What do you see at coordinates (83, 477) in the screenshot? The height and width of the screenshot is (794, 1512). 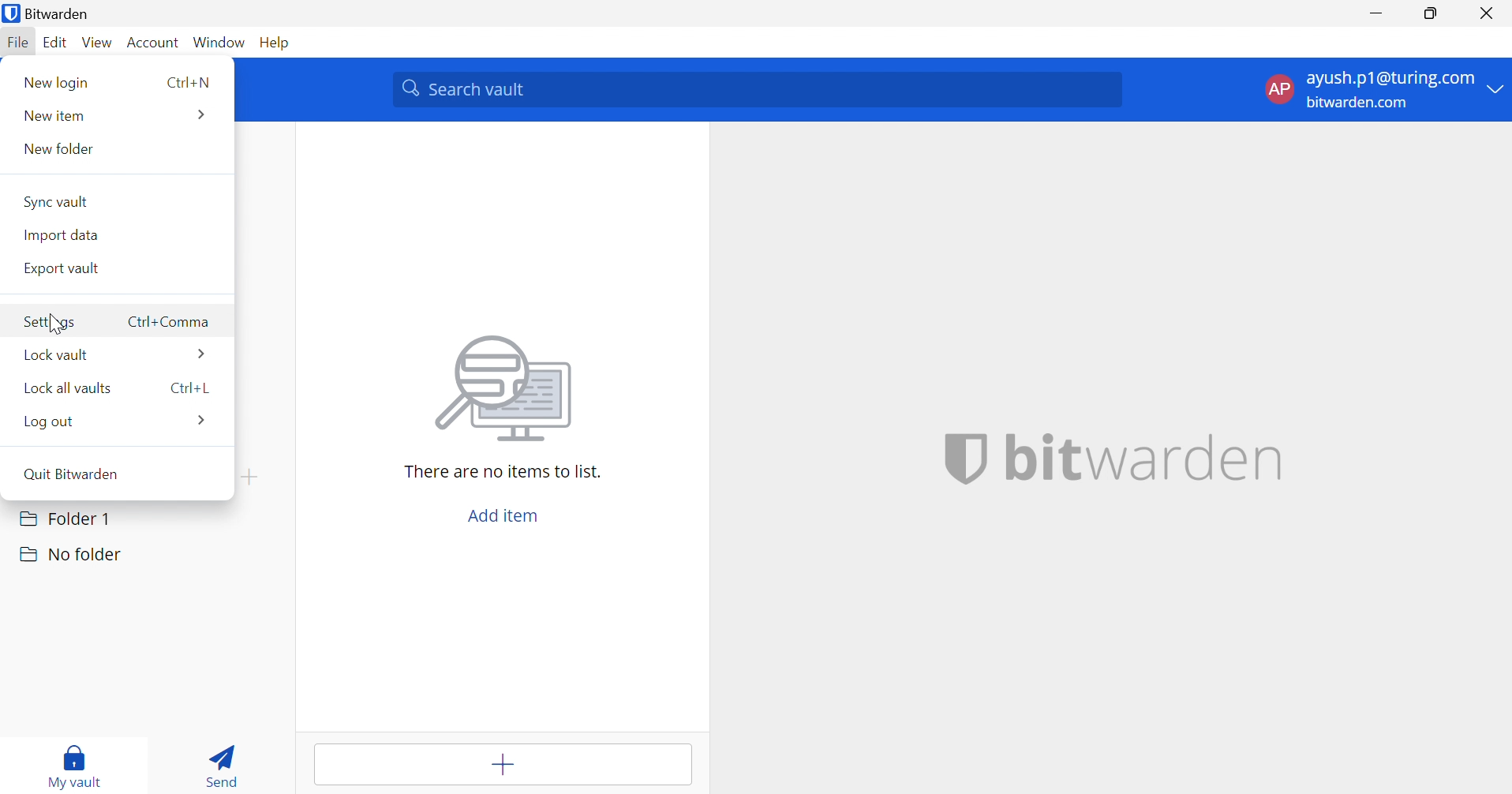 I see `Quit Bitwarden` at bounding box center [83, 477].